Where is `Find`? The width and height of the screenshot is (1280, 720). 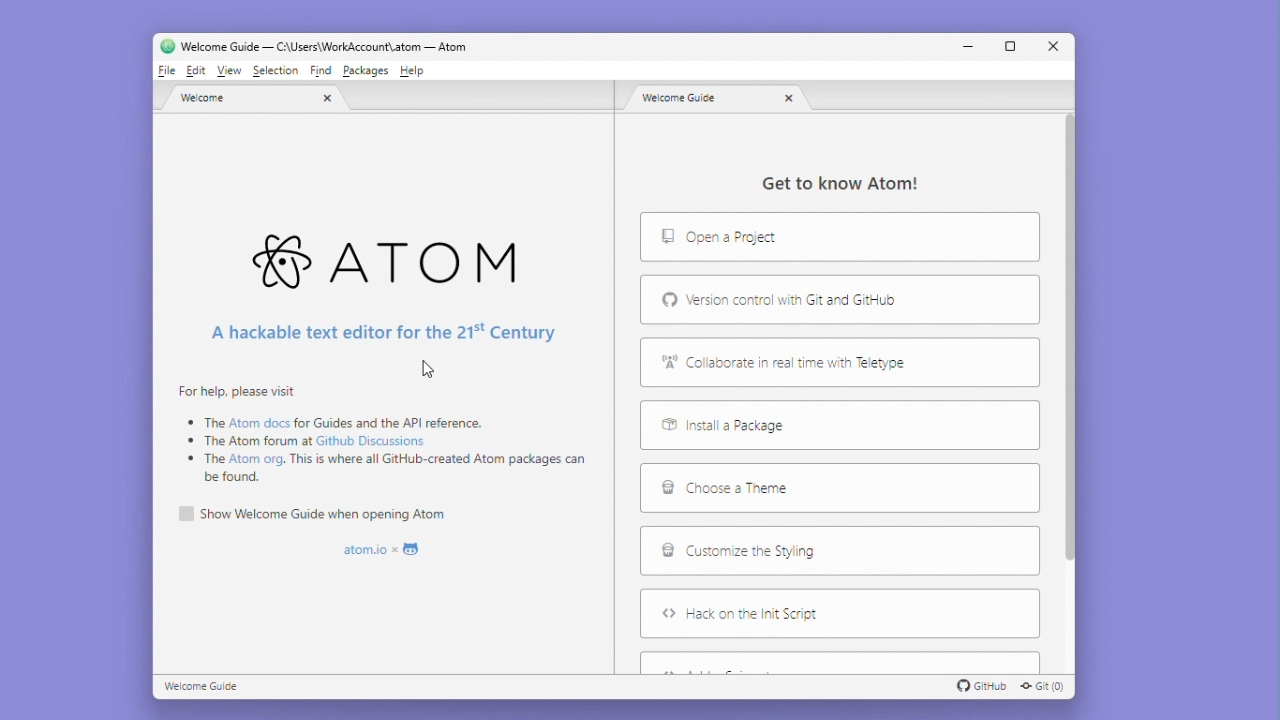 Find is located at coordinates (322, 71).